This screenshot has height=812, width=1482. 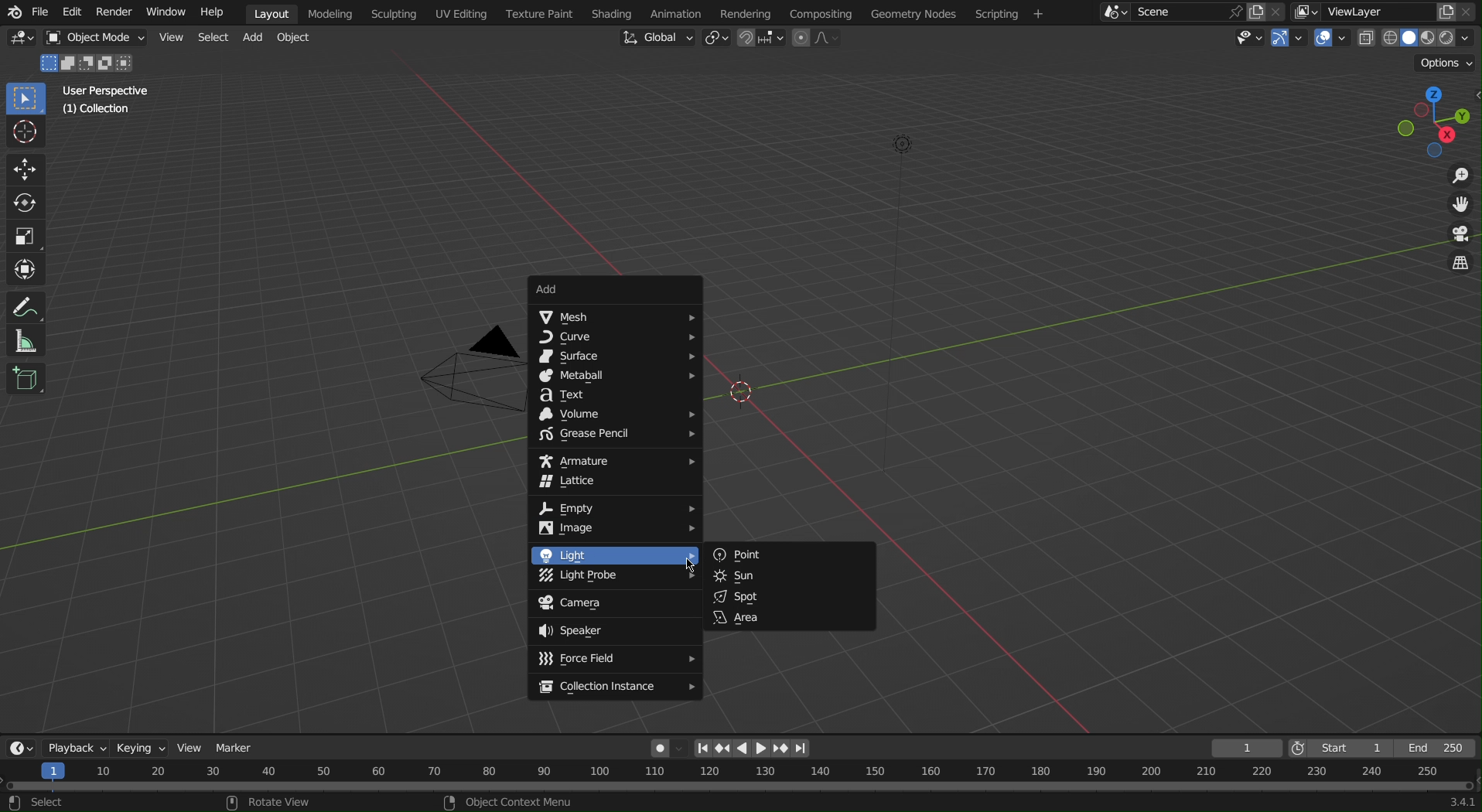 I want to click on Grease Pencil, so click(x=615, y=436).